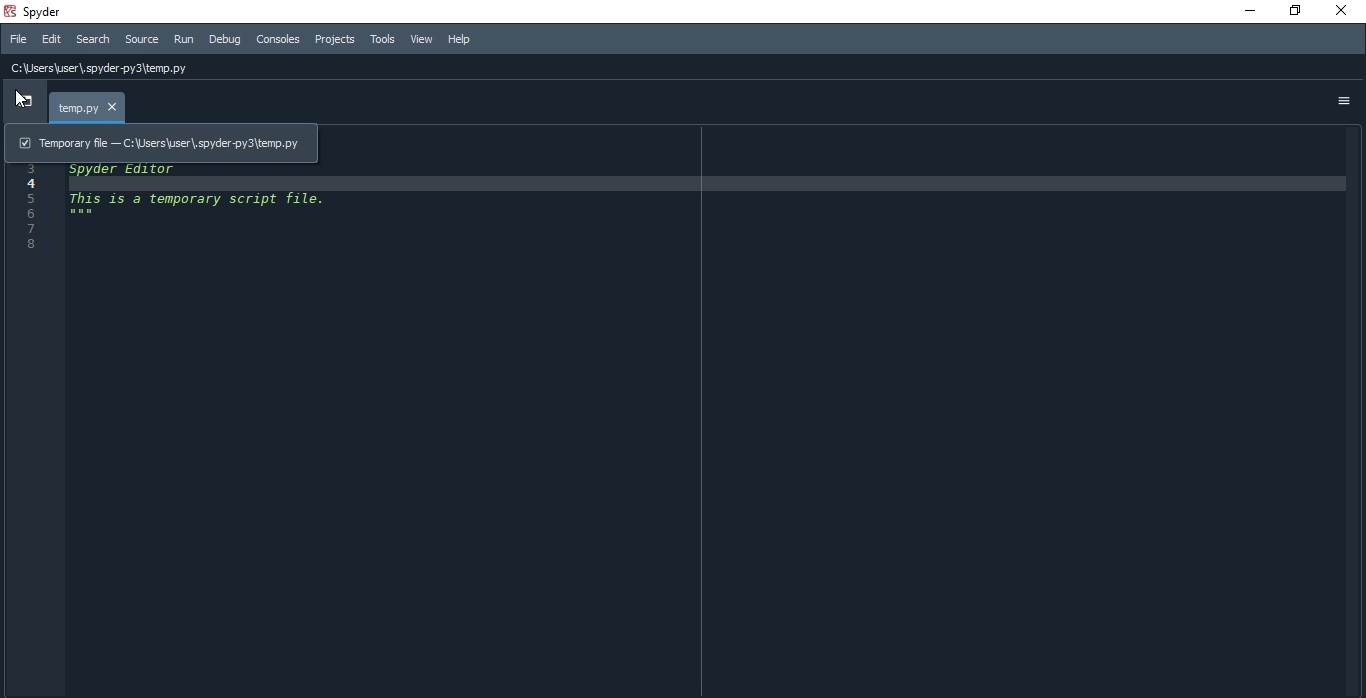 The image size is (1366, 698). What do you see at coordinates (33, 229) in the screenshot?
I see `7` at bounding box center [33, 229].